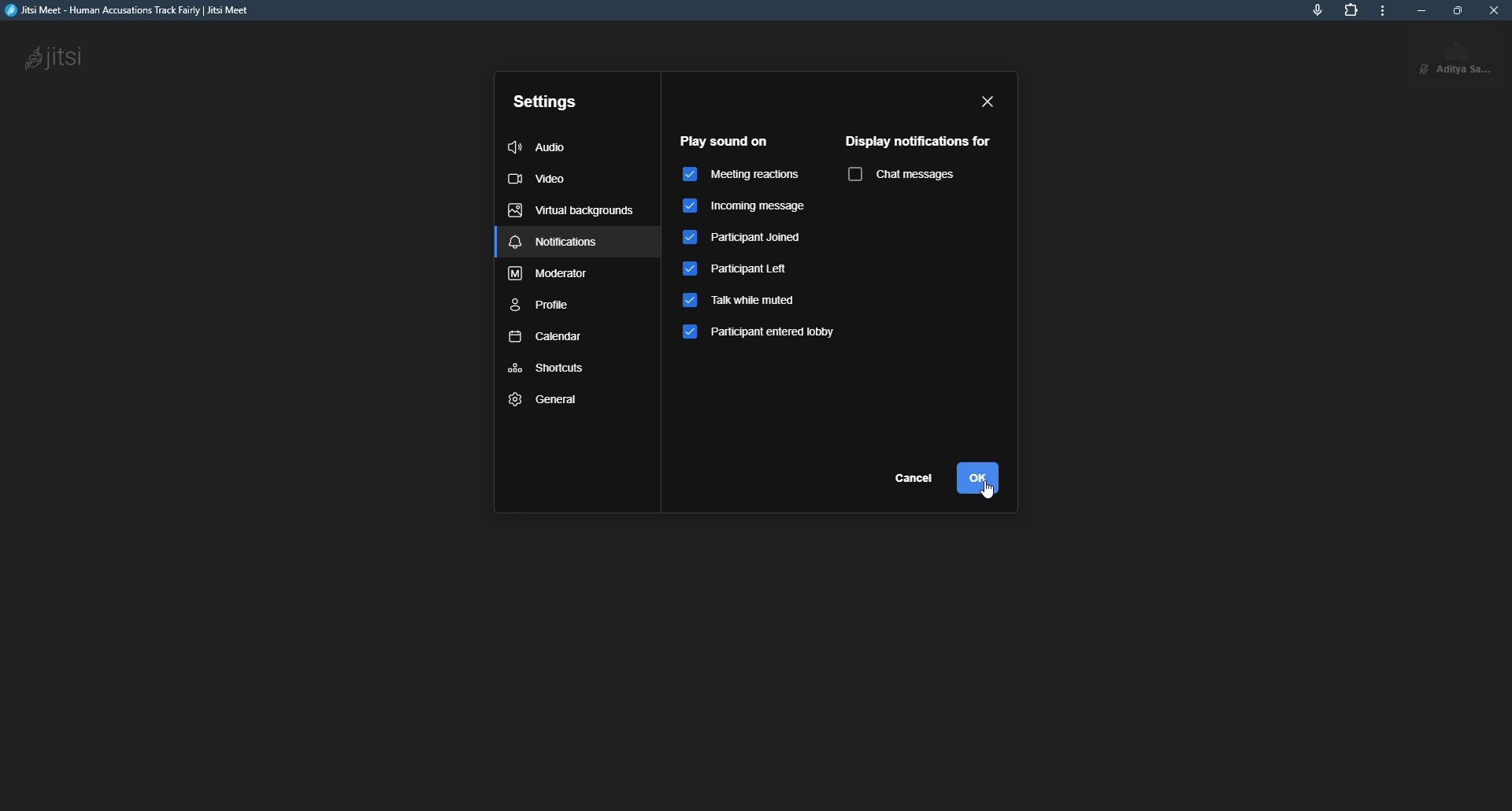 The height and width of the screenshot is (811, 1512). Describe the element at coordinates (980, 479) in the screenshot. I see `ok` at that location.